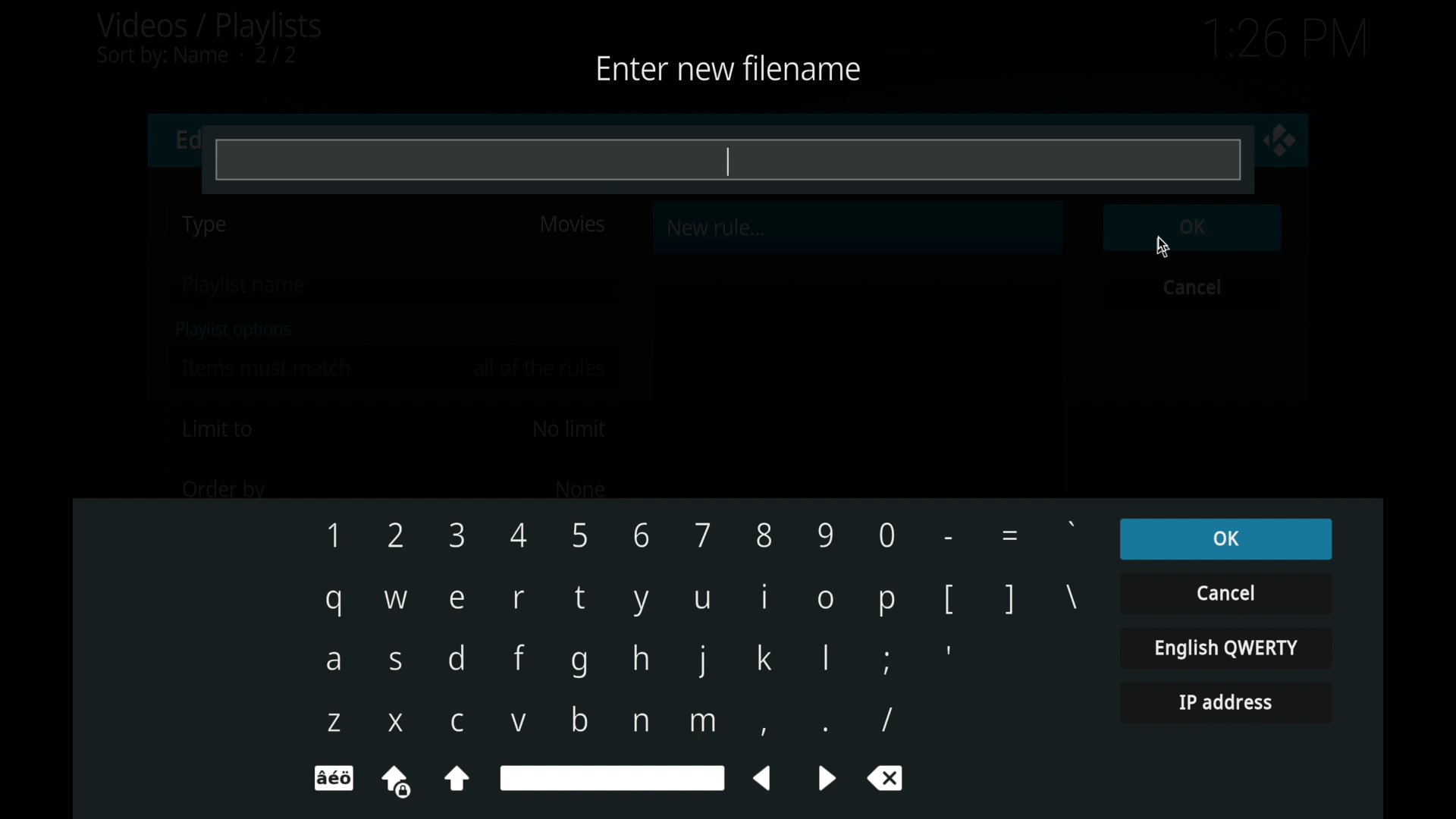 The width and height of the screenshot is (1456, 819). I want to click on cancel, so click(1225, 592).